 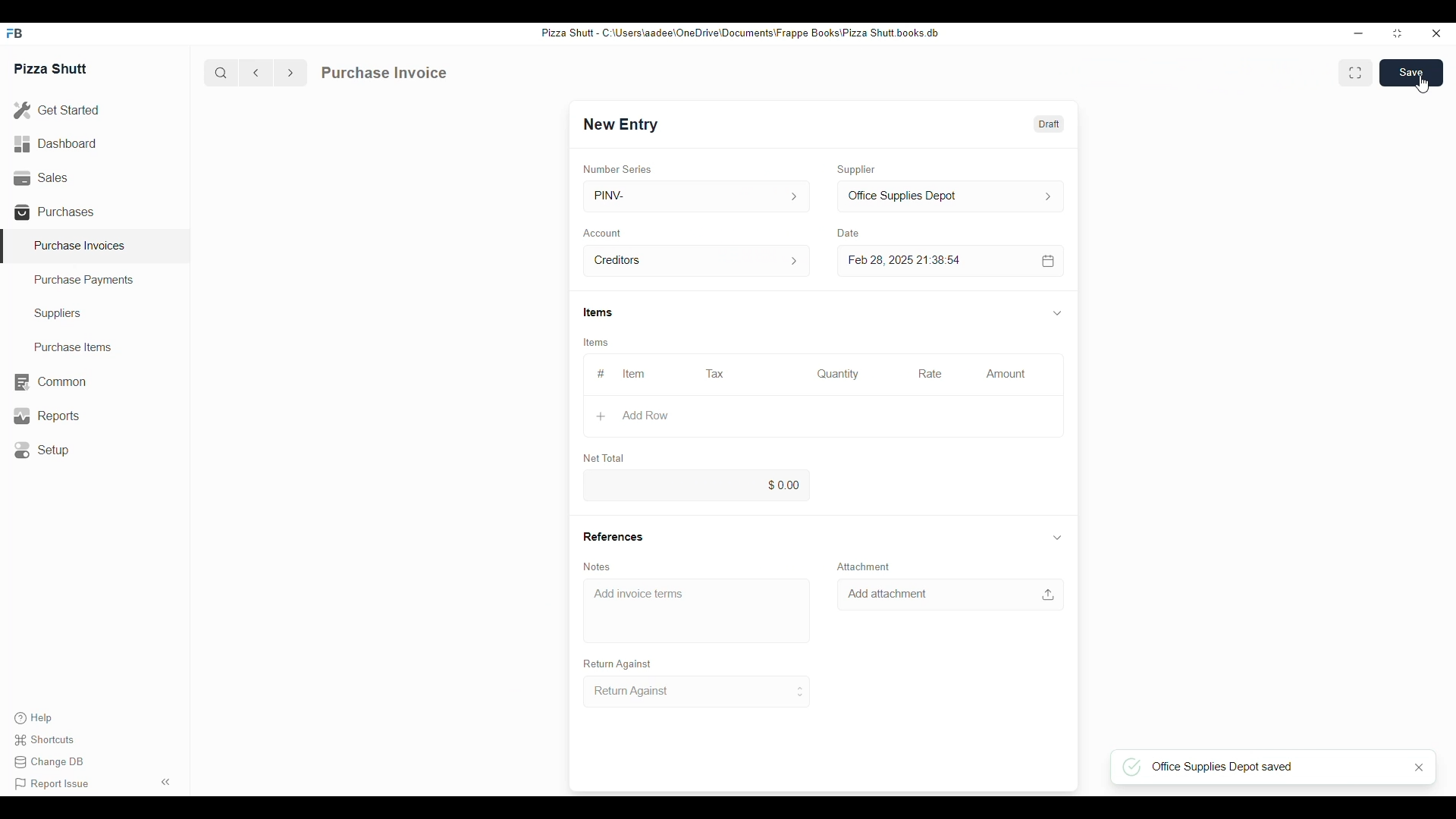 I want to click on Add invoice terms, so click(x=638, y=594).